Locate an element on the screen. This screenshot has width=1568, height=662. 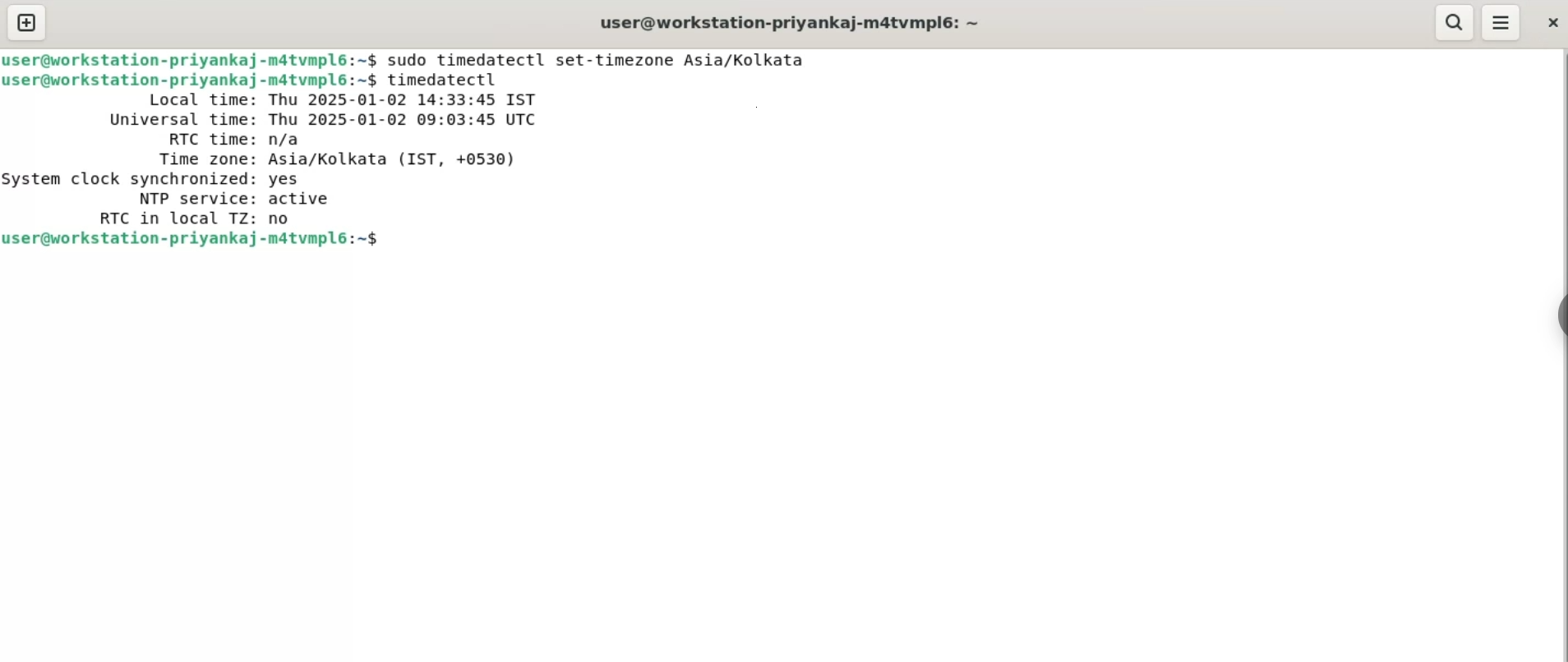
user@workstation-priyankaj-matvmplé:~$ is located at coordinates (191, 60).